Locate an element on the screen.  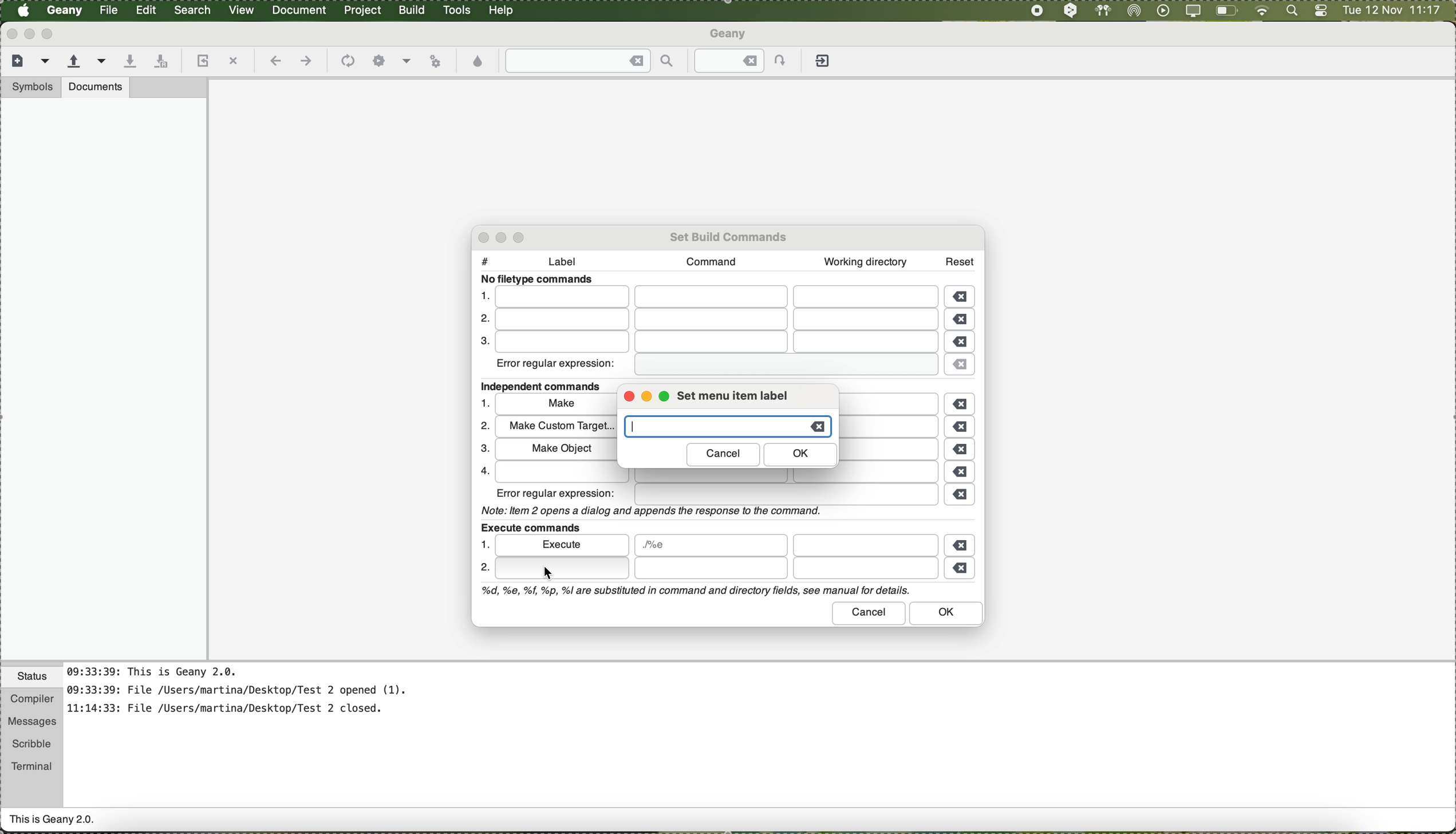
file is located at coordinates (714, 343).